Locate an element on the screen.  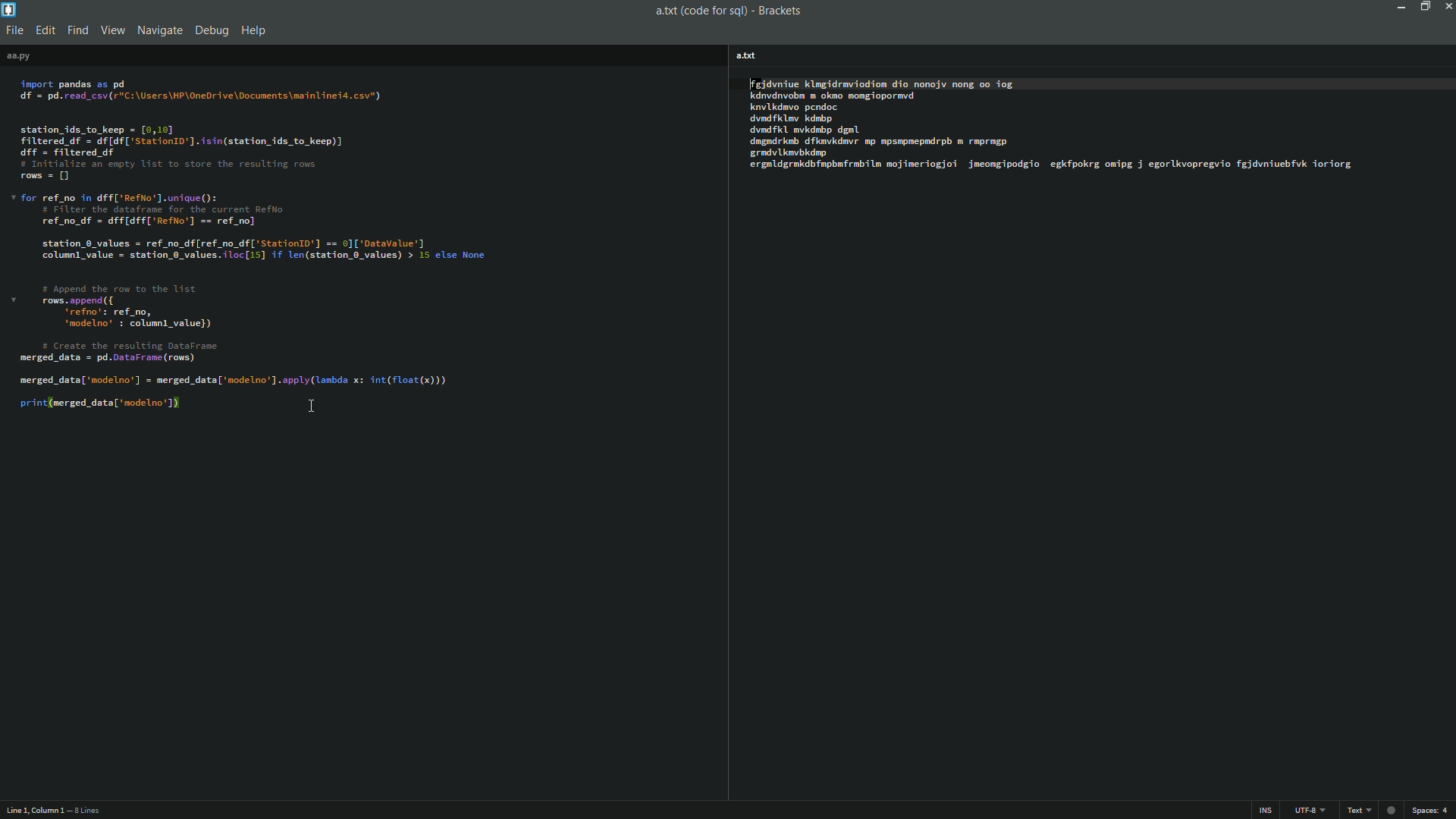
view menu is located at coordinates (116, 31).